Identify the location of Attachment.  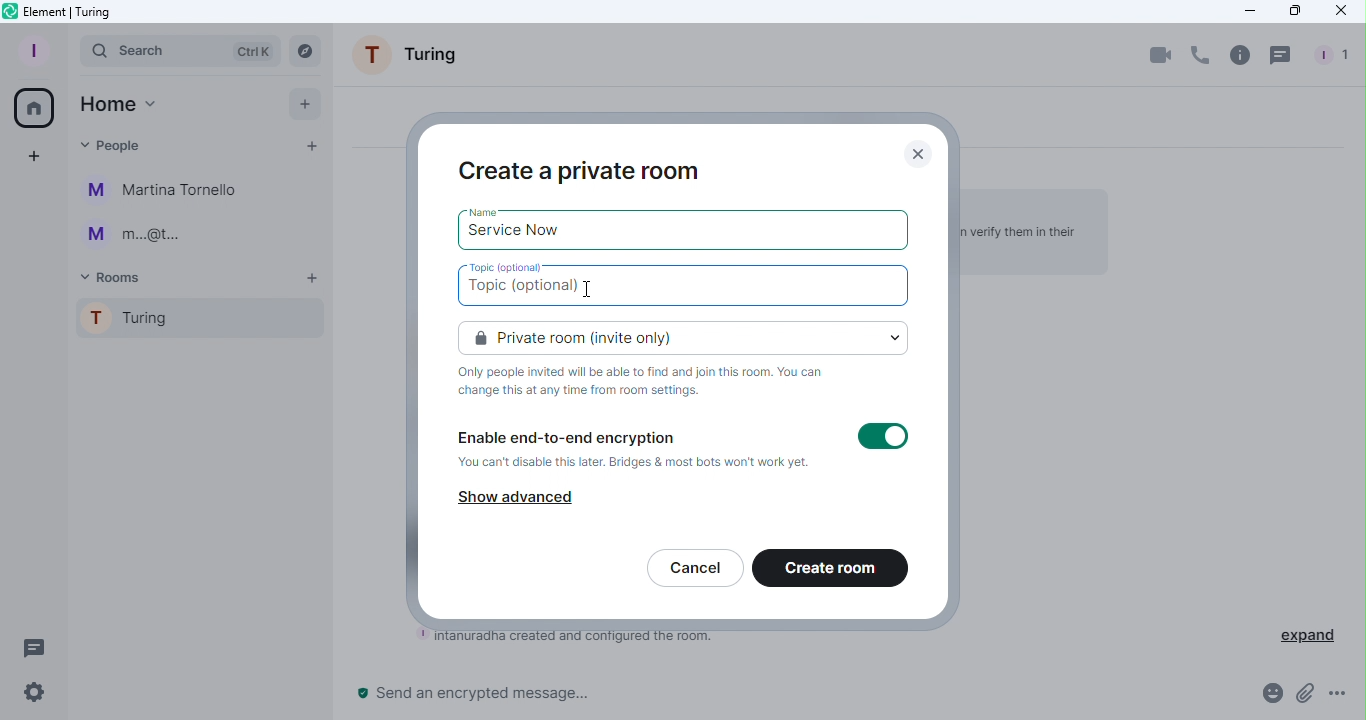
(1304, 699).